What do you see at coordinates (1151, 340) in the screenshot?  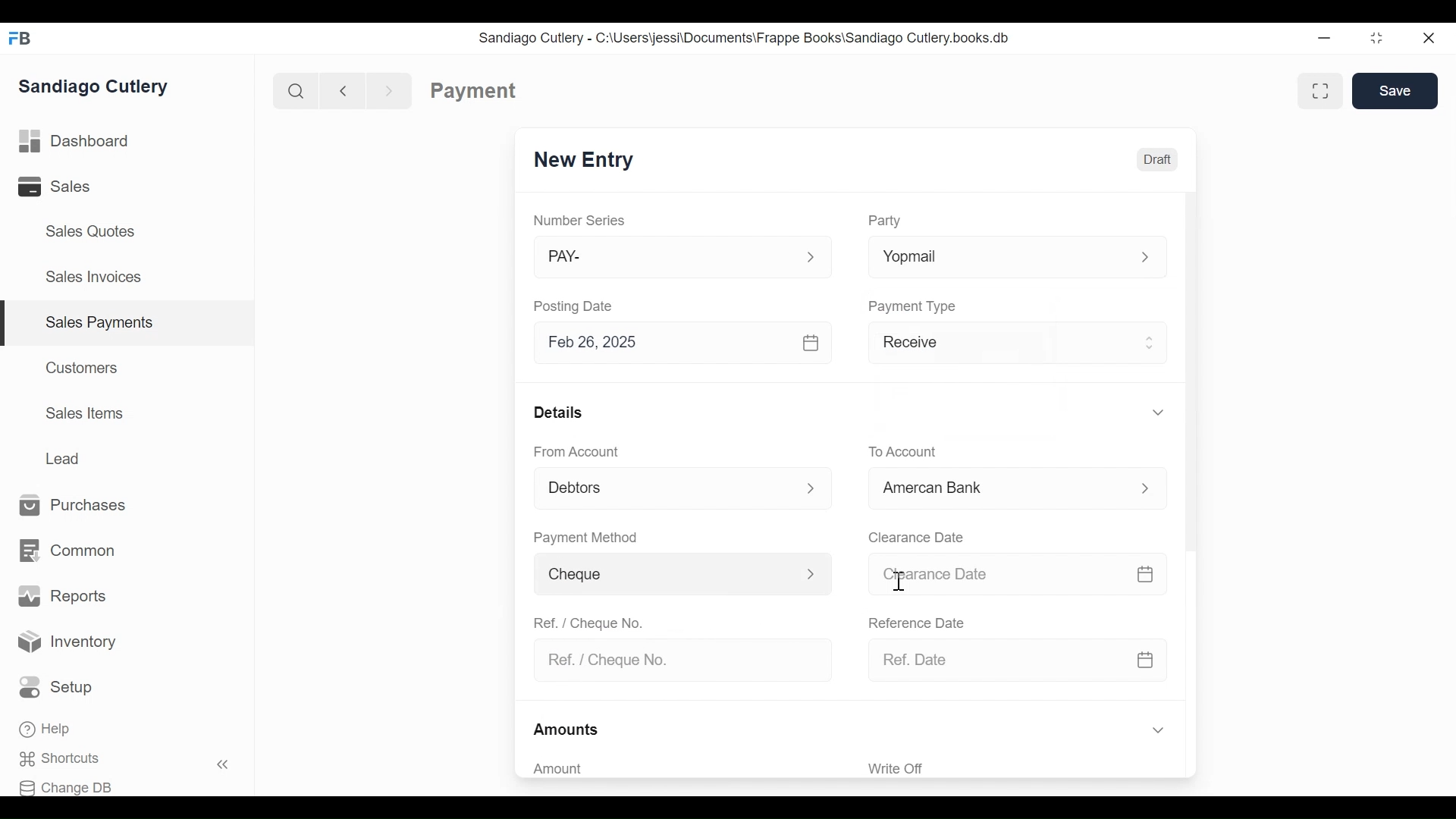 I see `Expand` at bounding box center [1151, 340].